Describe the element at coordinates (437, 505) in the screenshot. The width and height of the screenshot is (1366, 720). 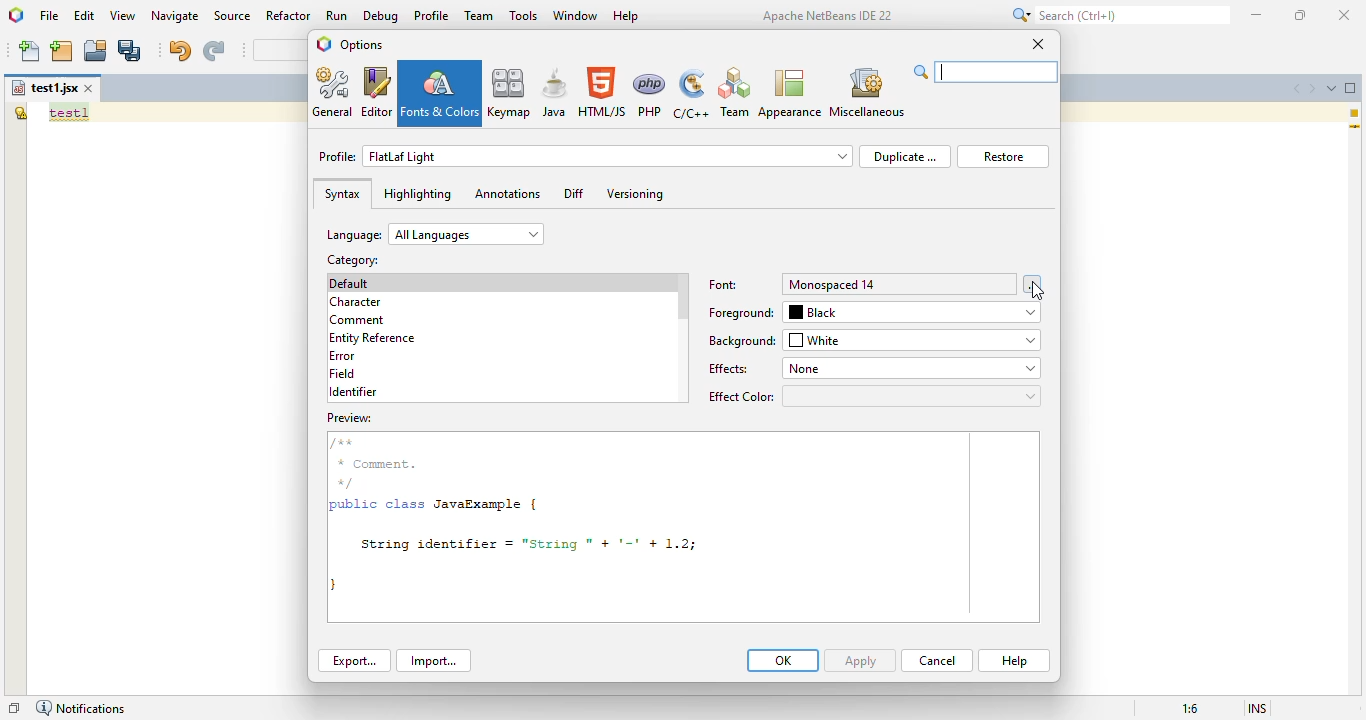
I see `public class JavaExample {` at that location.